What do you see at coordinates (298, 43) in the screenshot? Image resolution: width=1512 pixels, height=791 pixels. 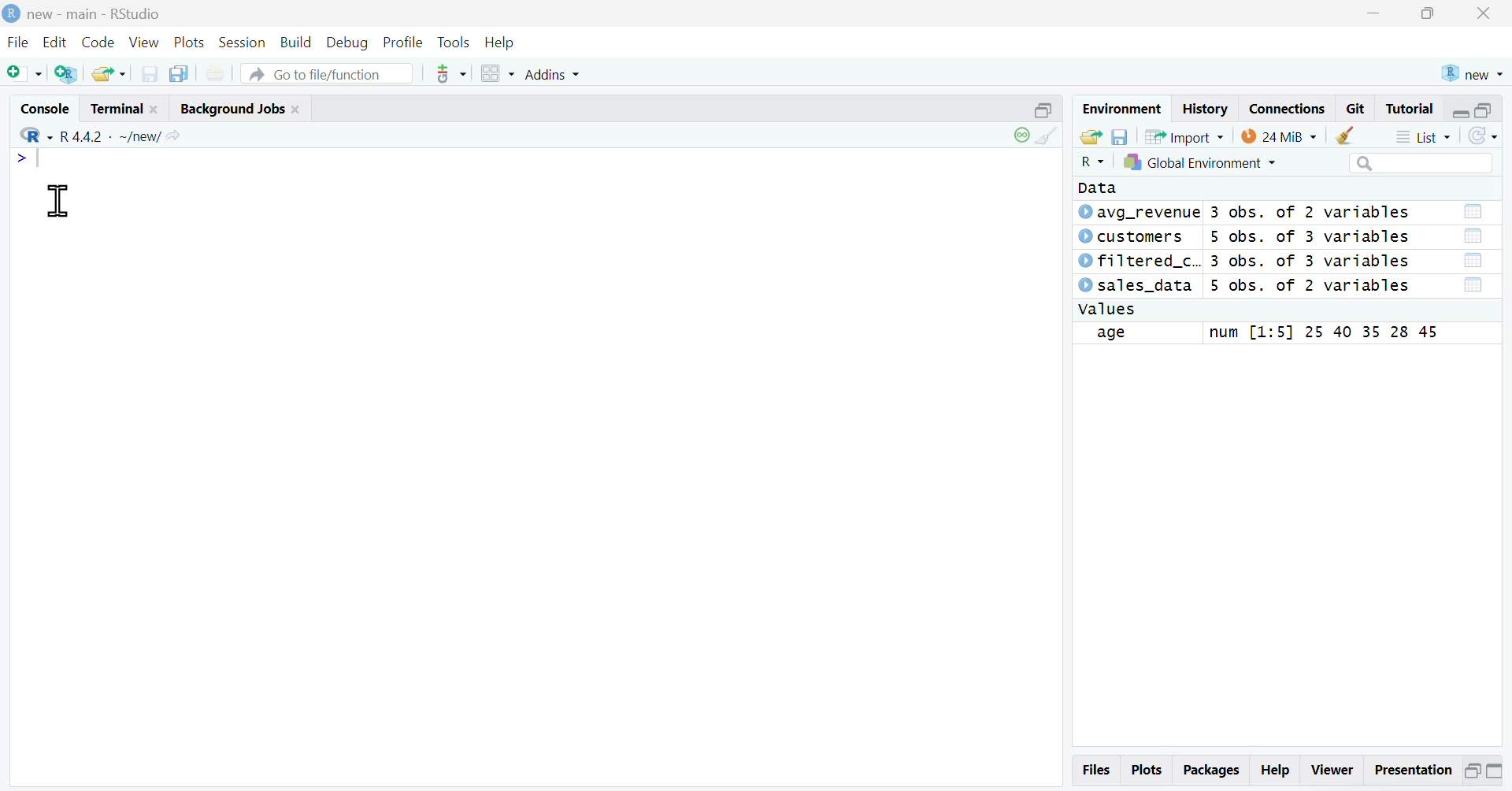 I see `Build` at bounding box center [298, 43].